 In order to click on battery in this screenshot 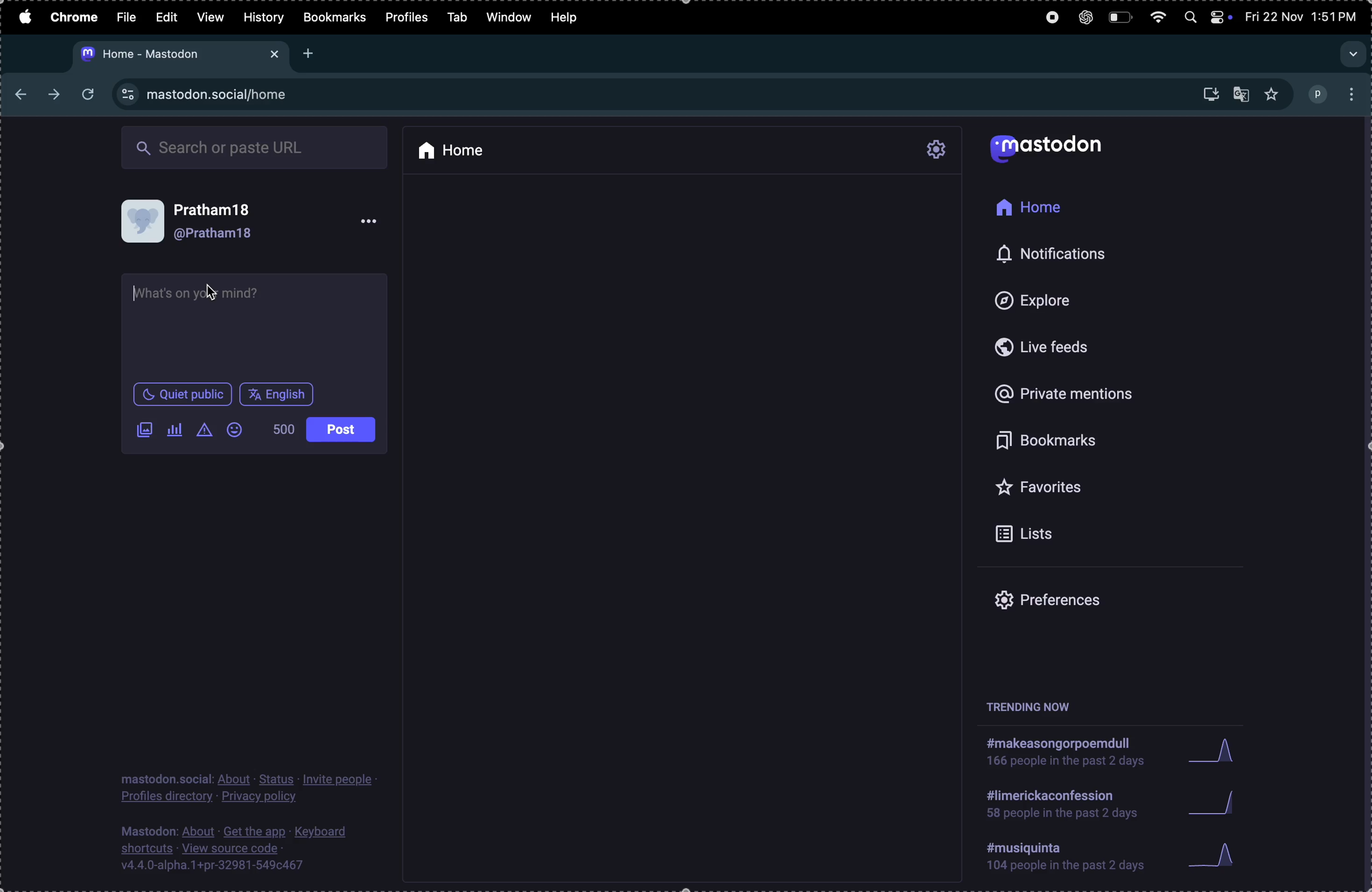, I will do `click(1118, 16)`.